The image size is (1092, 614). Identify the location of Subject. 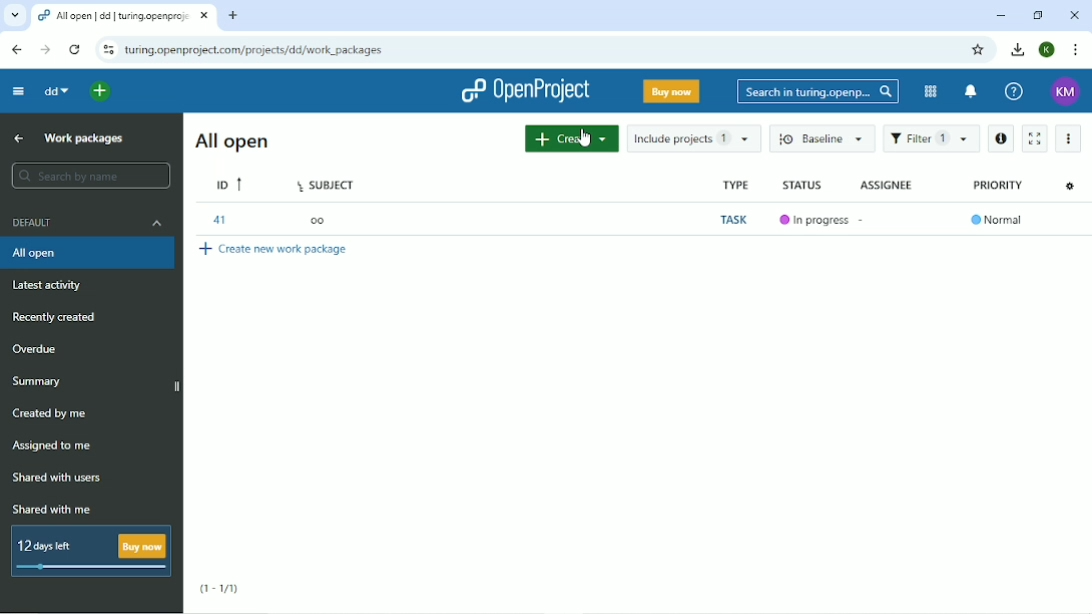
(332, 184).